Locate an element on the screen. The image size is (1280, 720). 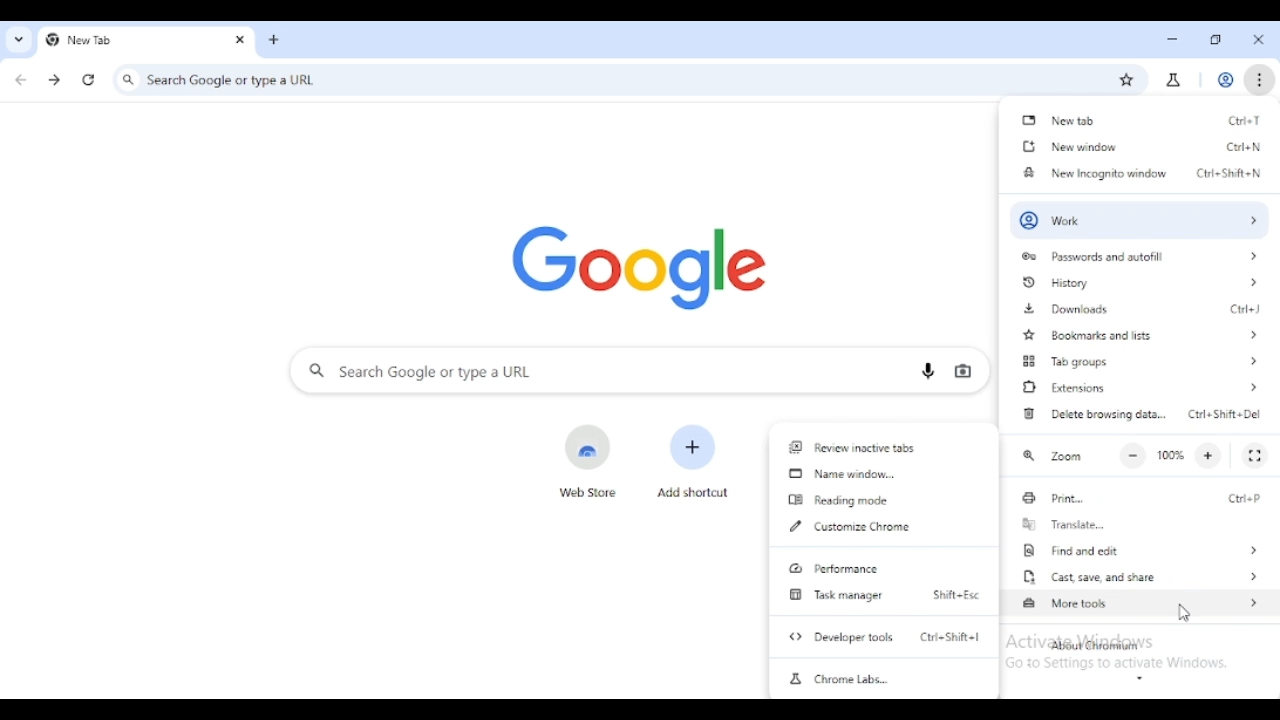
find and edit is located at coordinates (1141, 550).